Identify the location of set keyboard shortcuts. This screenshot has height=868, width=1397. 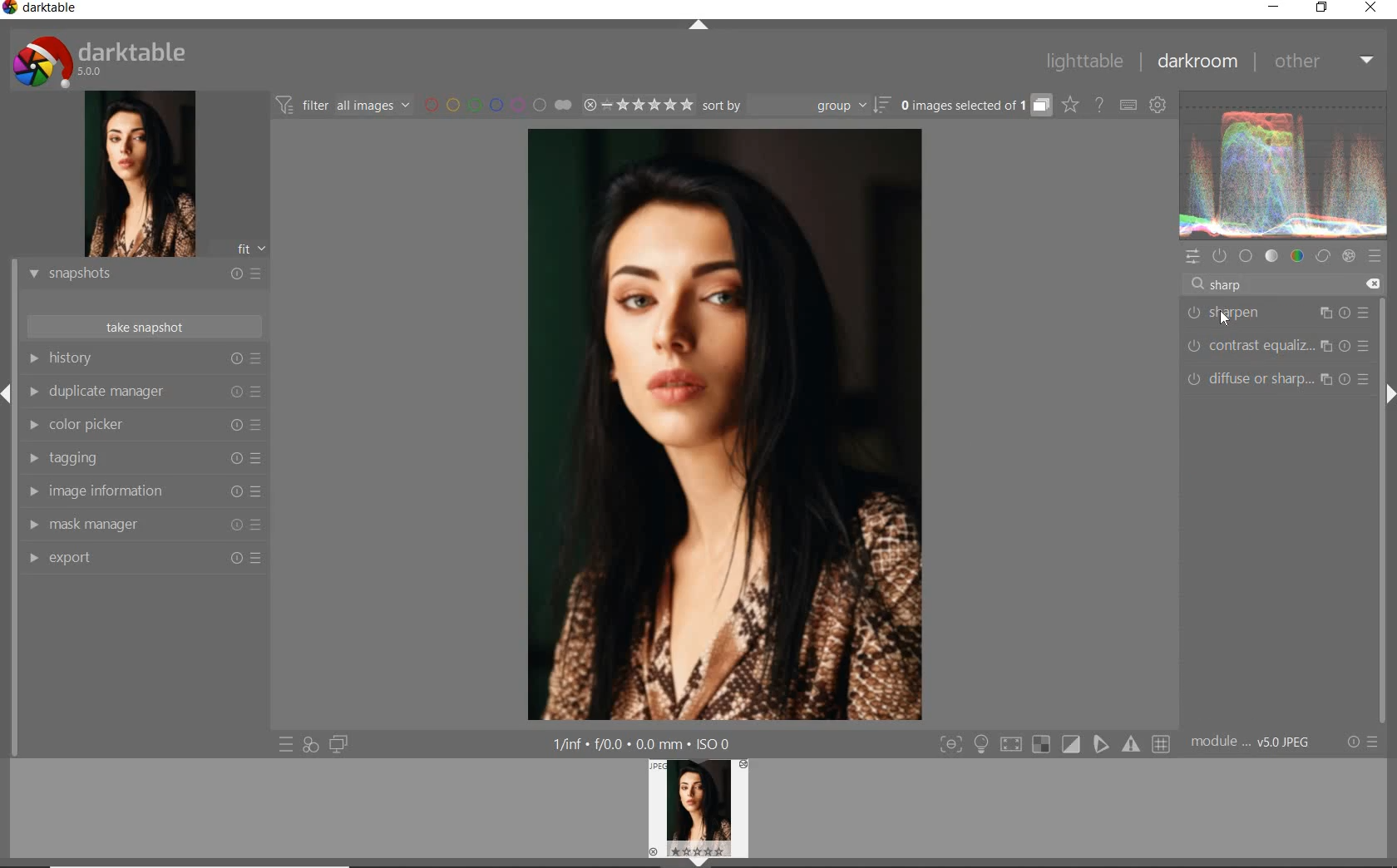
(1129, 106).